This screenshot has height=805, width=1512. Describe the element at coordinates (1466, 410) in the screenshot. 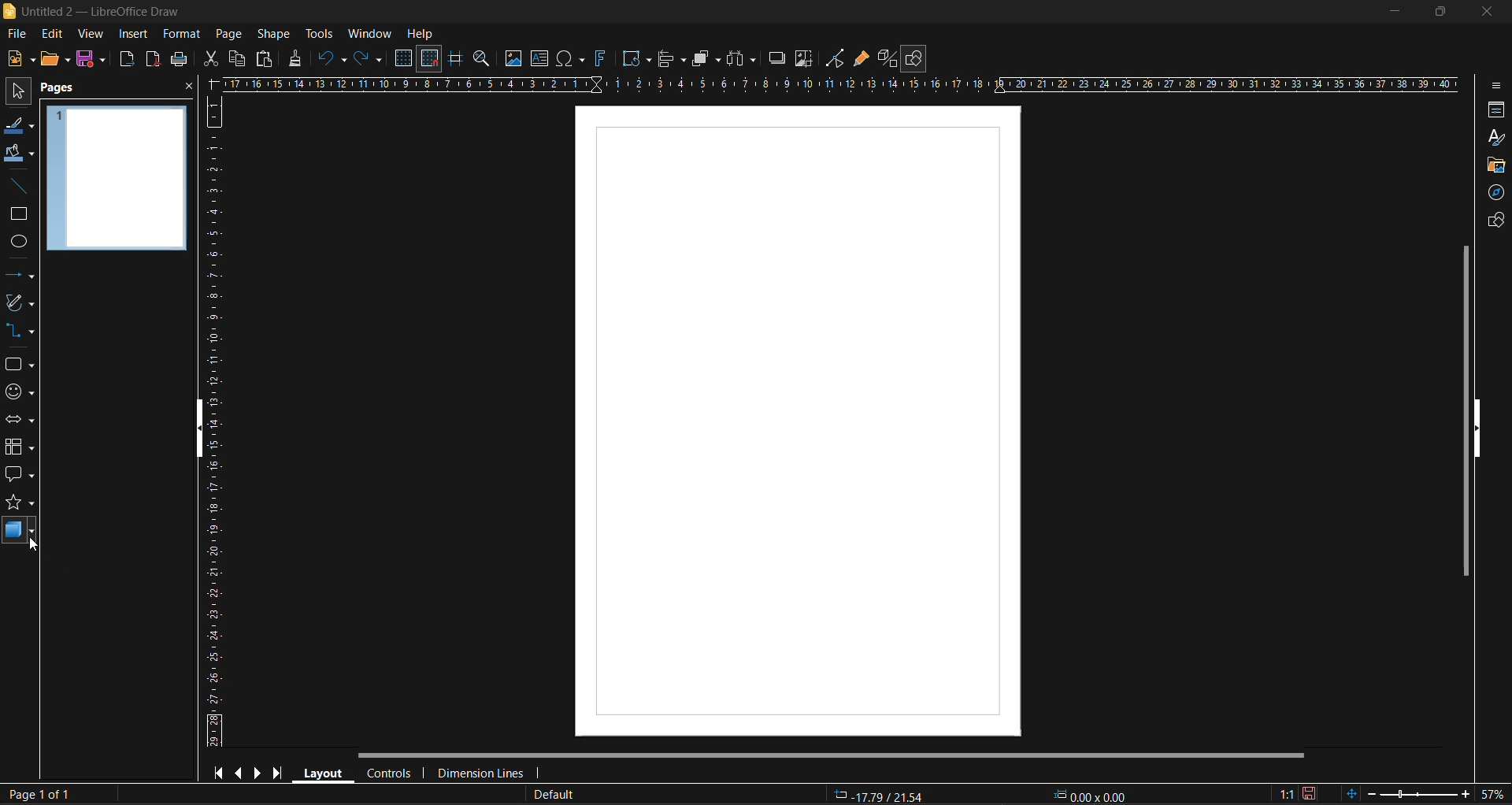

I see `vertical scroll bar` at that location.